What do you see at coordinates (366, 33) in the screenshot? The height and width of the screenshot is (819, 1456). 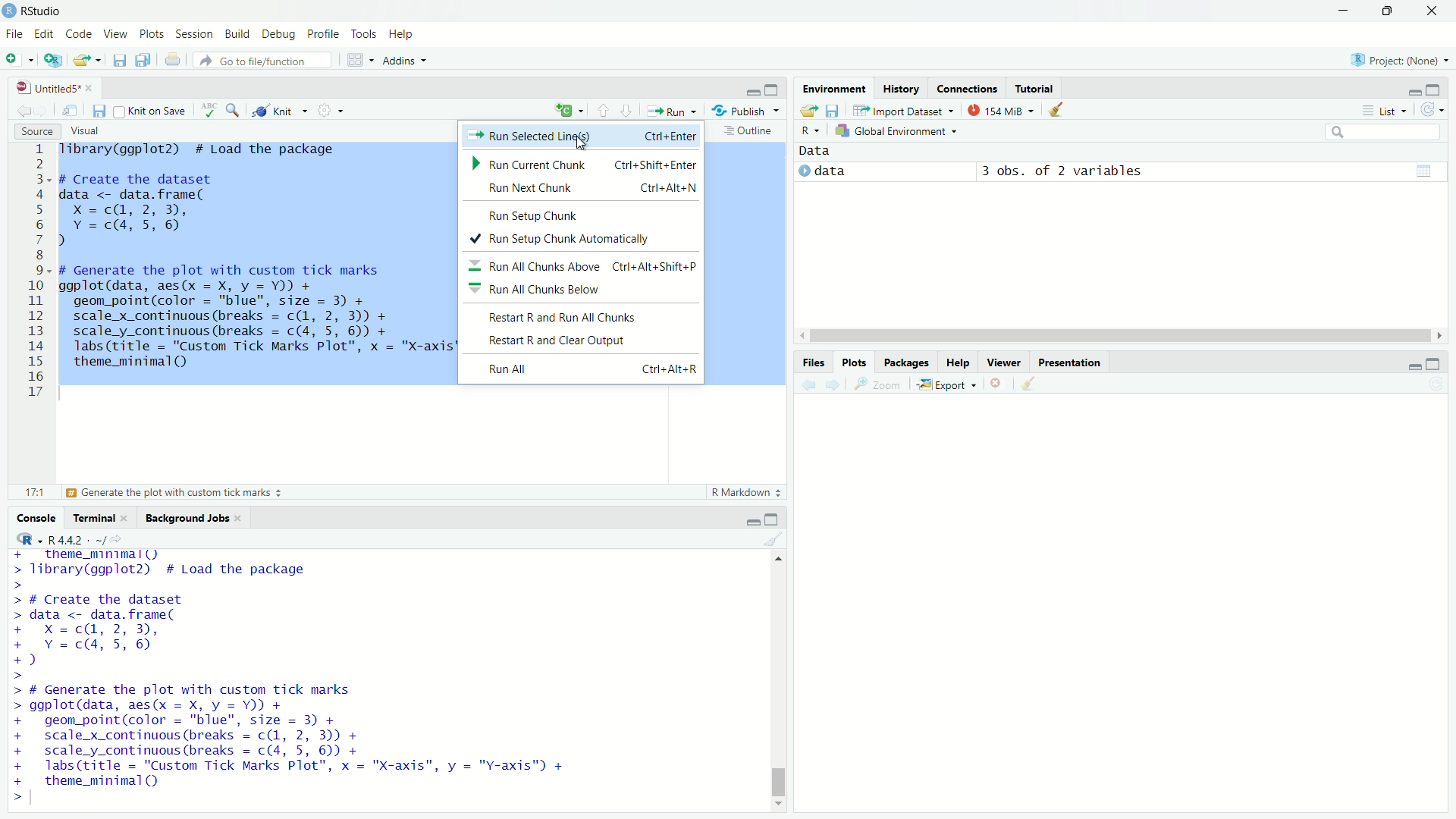 I see `tools` at bounding box center [366, 33].